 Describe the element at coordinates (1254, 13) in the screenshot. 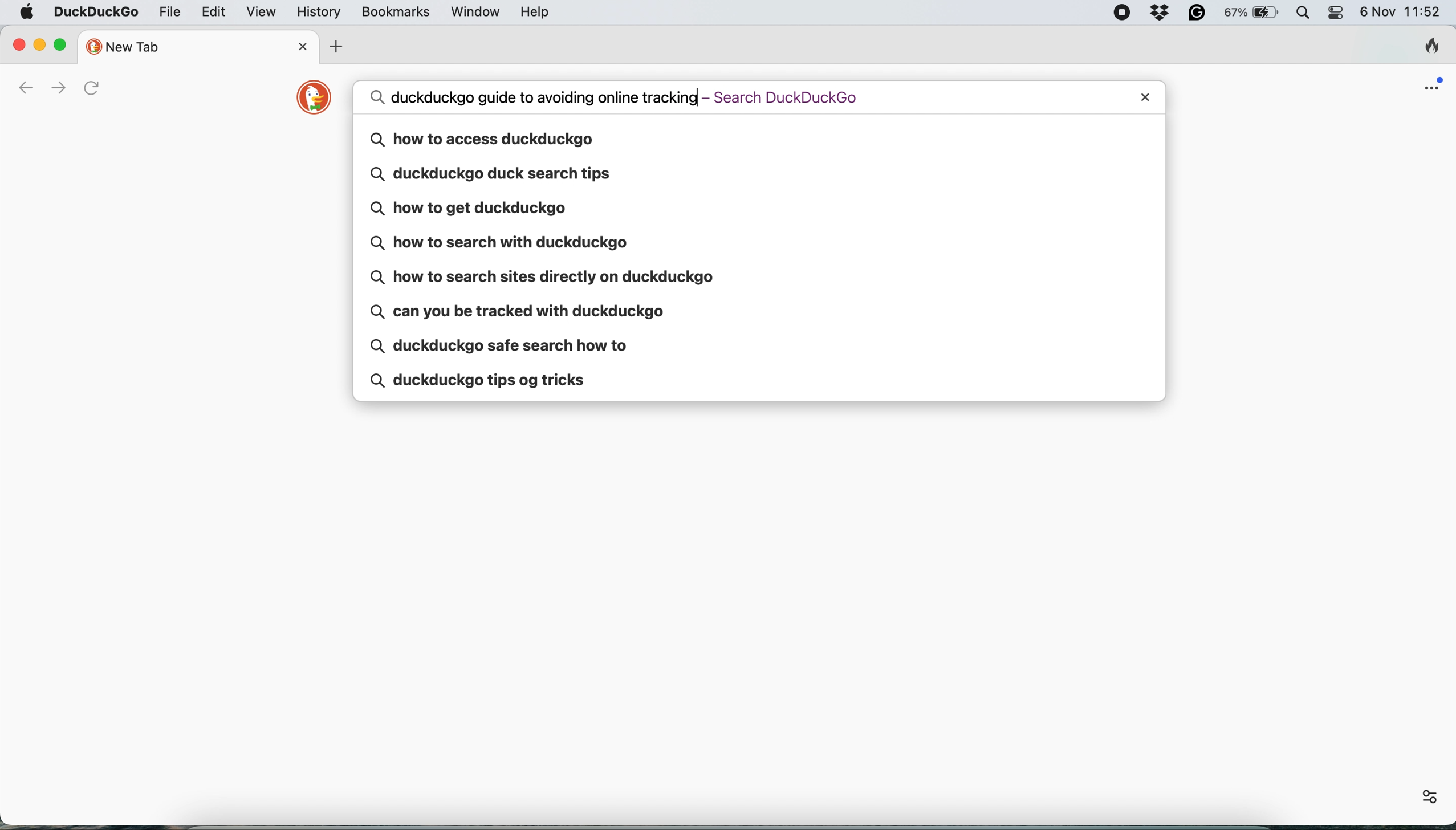

I see `battery` at that location.